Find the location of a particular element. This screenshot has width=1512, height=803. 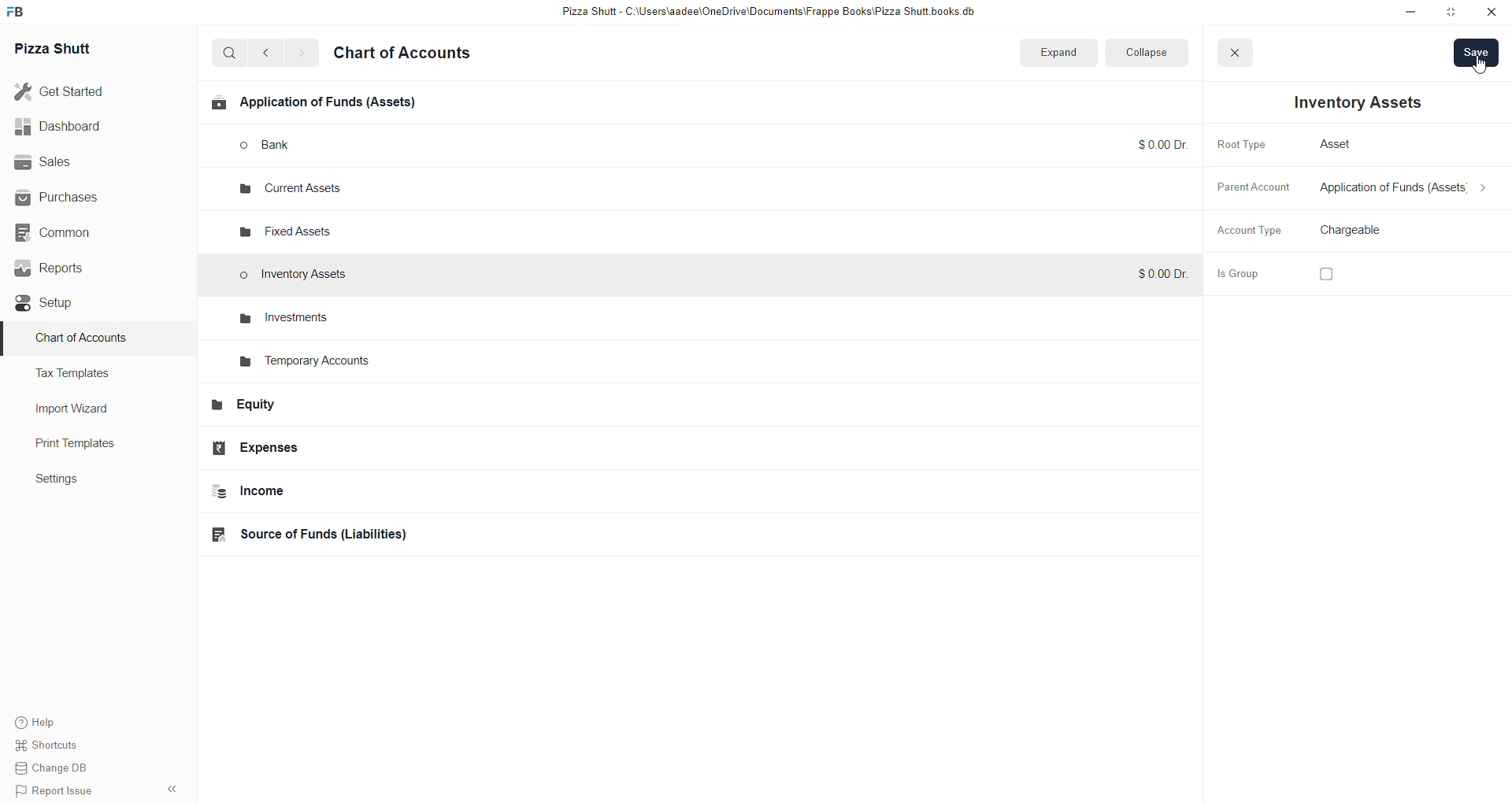

select parent account  is located at coordinates (1398, 191).